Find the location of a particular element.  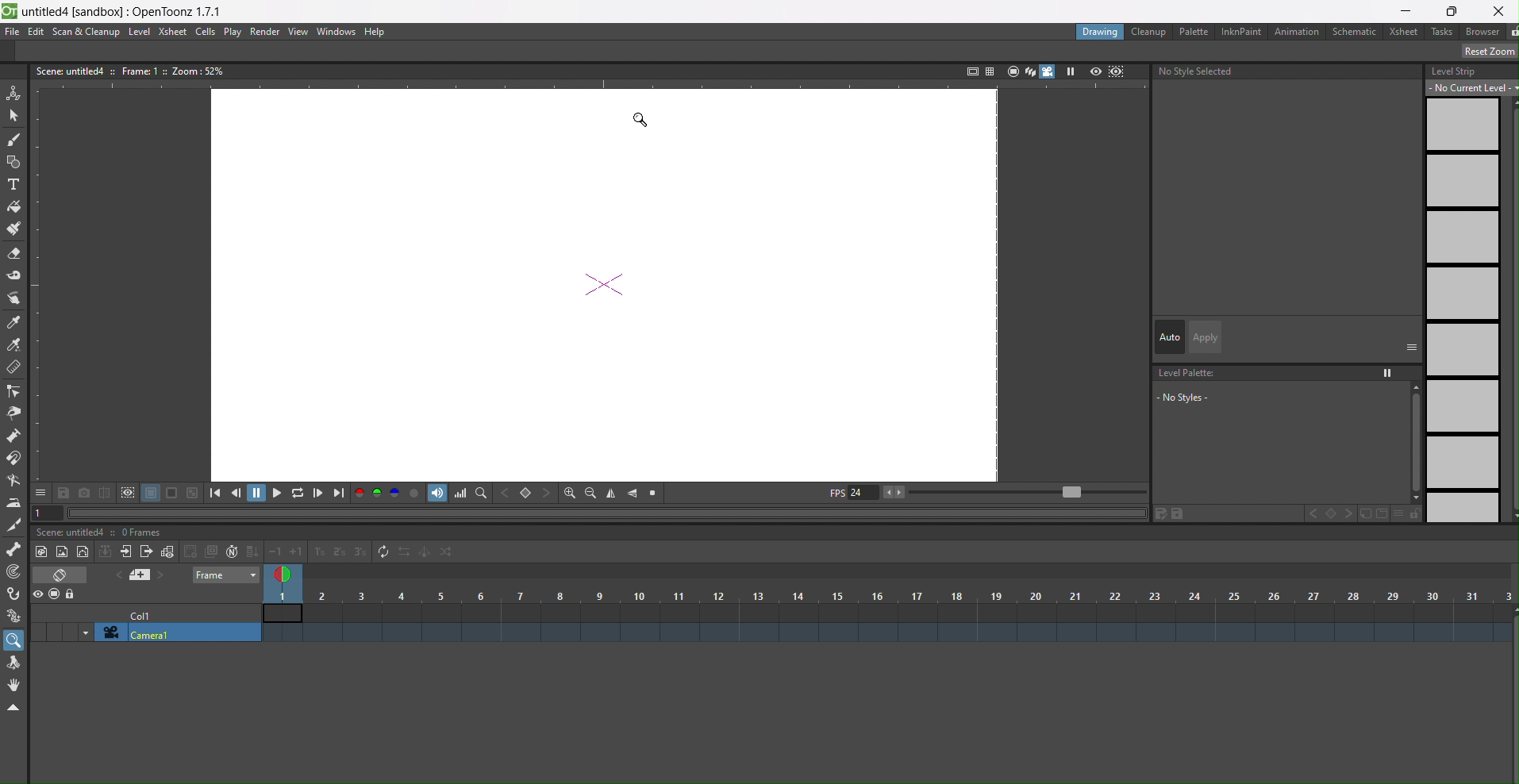

magnet tool is located at coordinates (15, 459).